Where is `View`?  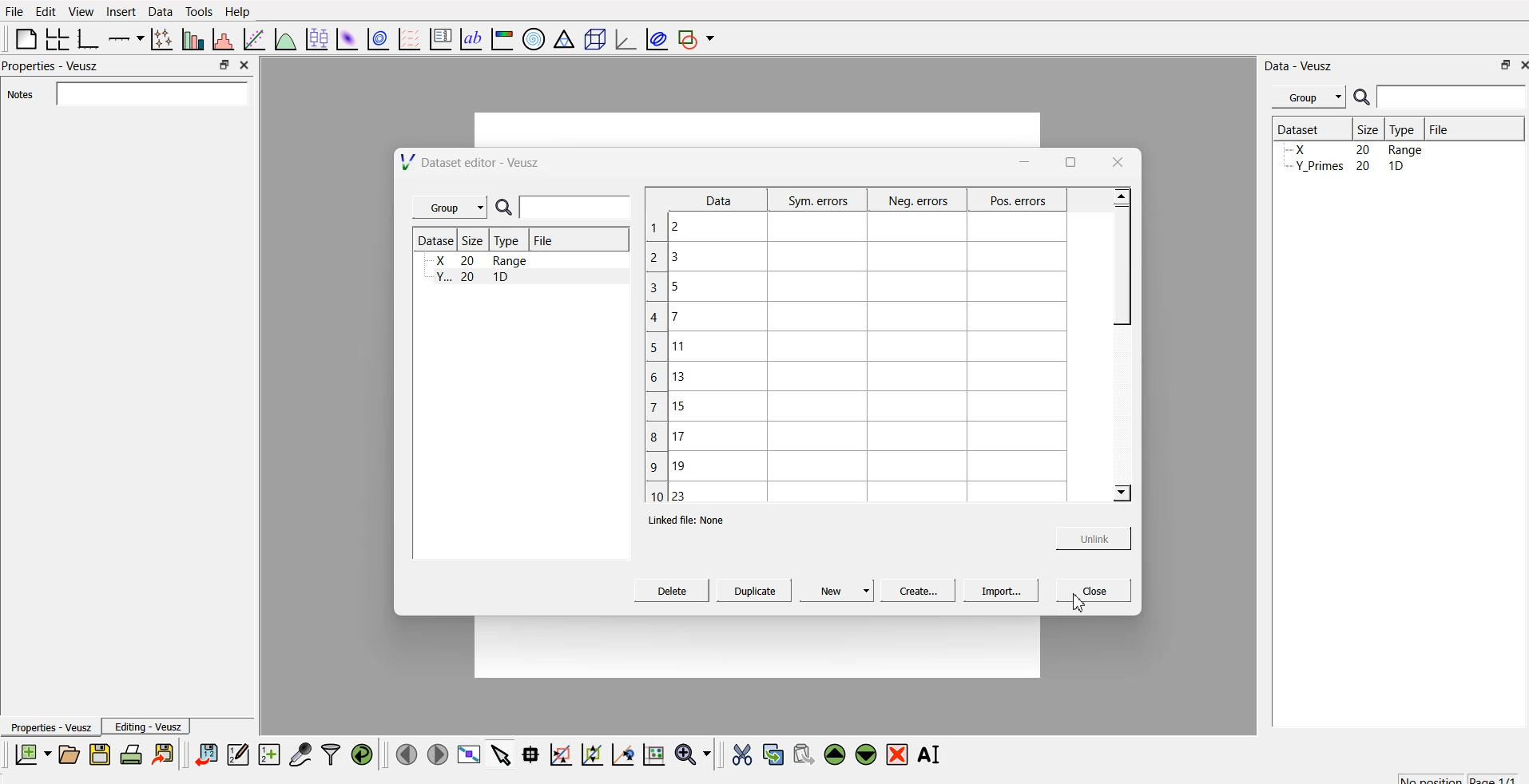
View is located at coordinates (82, 11).